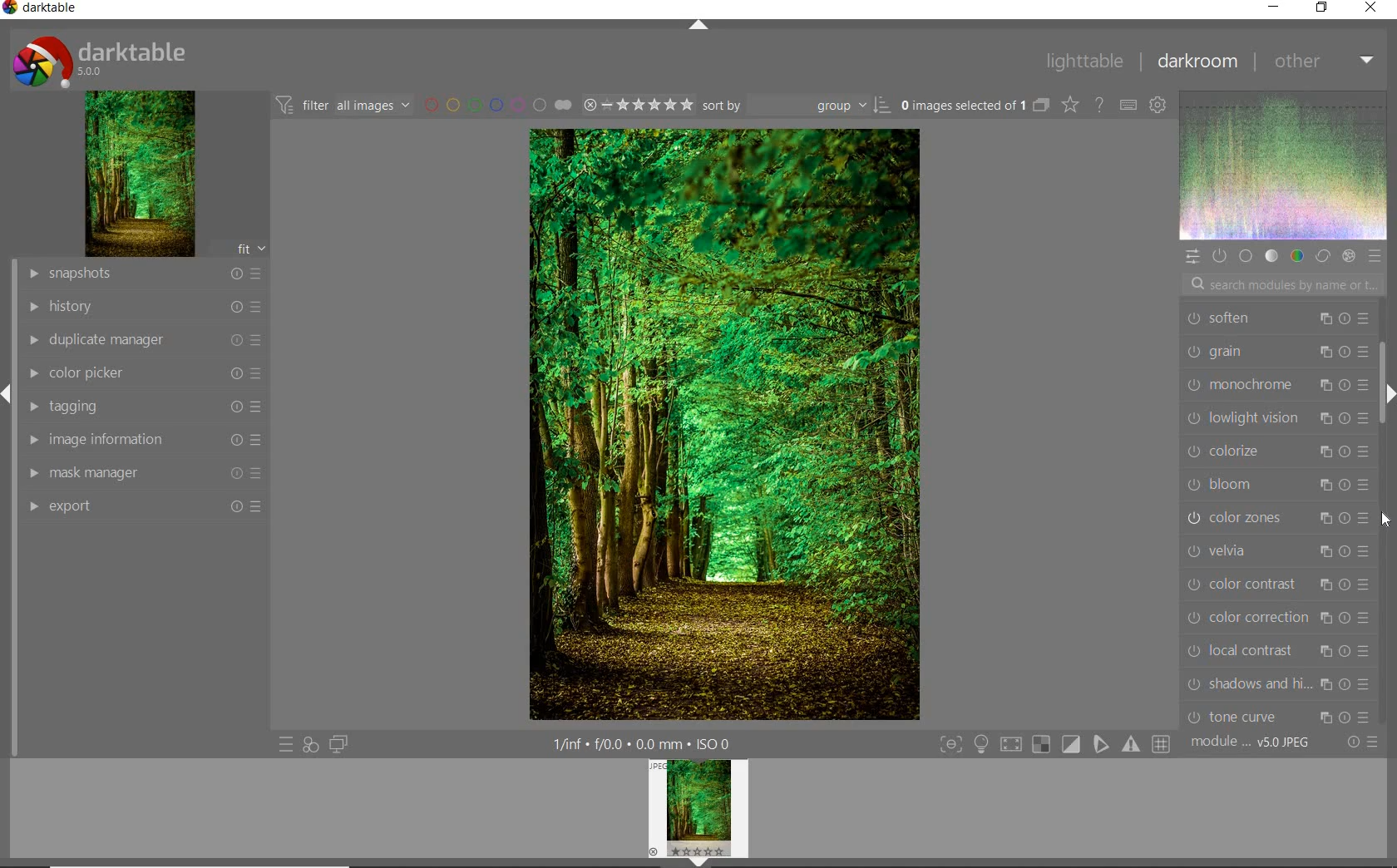 Image resolution: width=1397 pixels, height=868 pixels. What do you see at coordinates (1299, 256) in the screenshot?
I see `COLOR` at bounding box center [1299, 256].